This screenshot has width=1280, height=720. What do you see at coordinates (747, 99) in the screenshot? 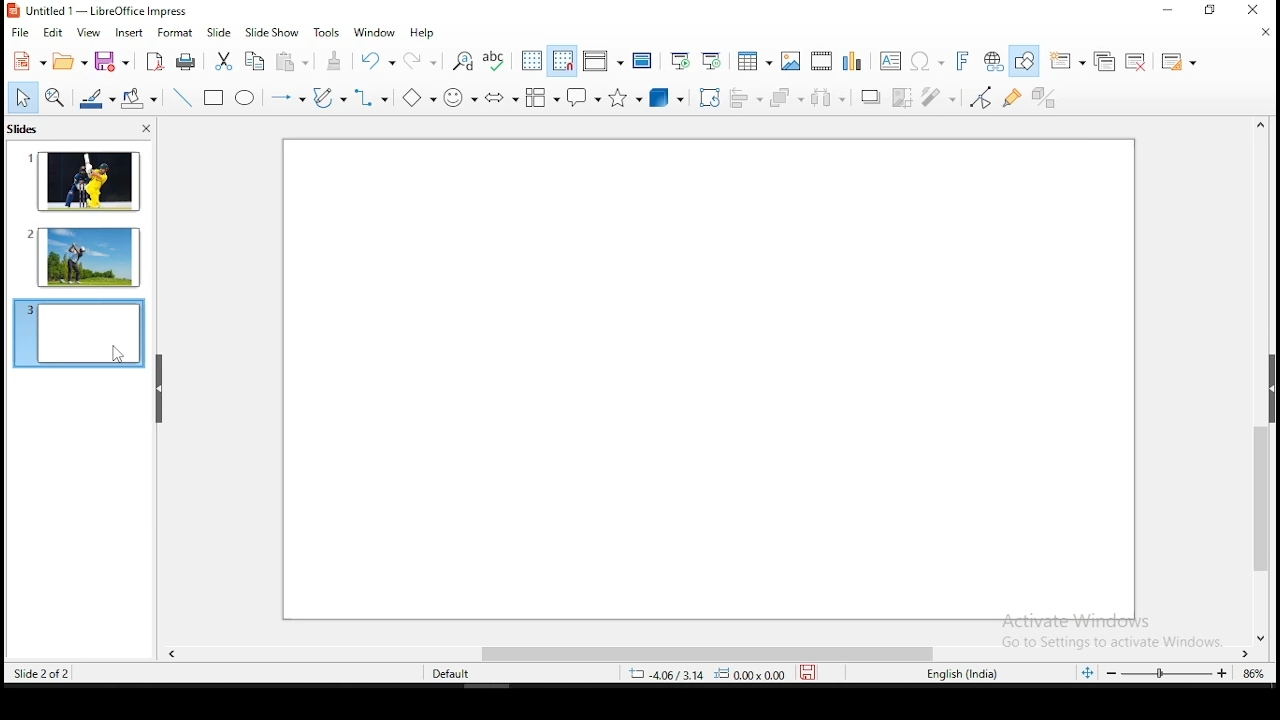
I see `align objects` at bounding box center [747, 99].